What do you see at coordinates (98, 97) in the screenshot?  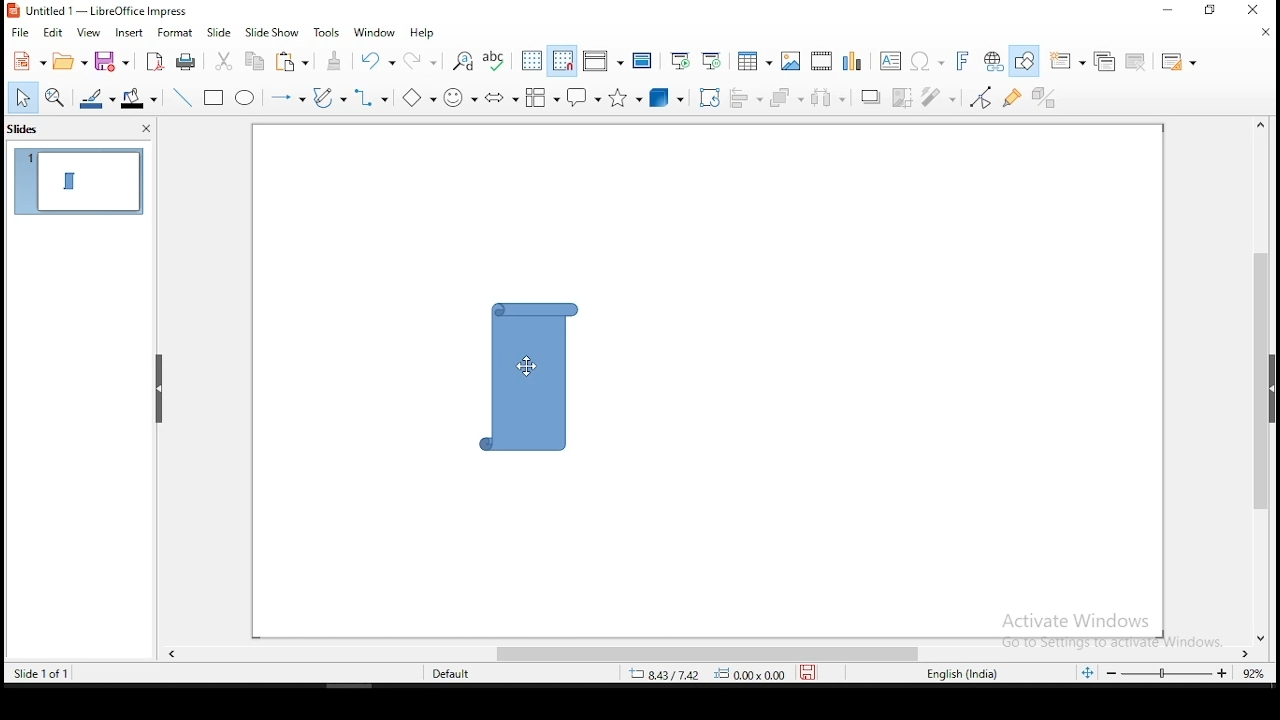 I see `line color` at bounding box center [98, 97].